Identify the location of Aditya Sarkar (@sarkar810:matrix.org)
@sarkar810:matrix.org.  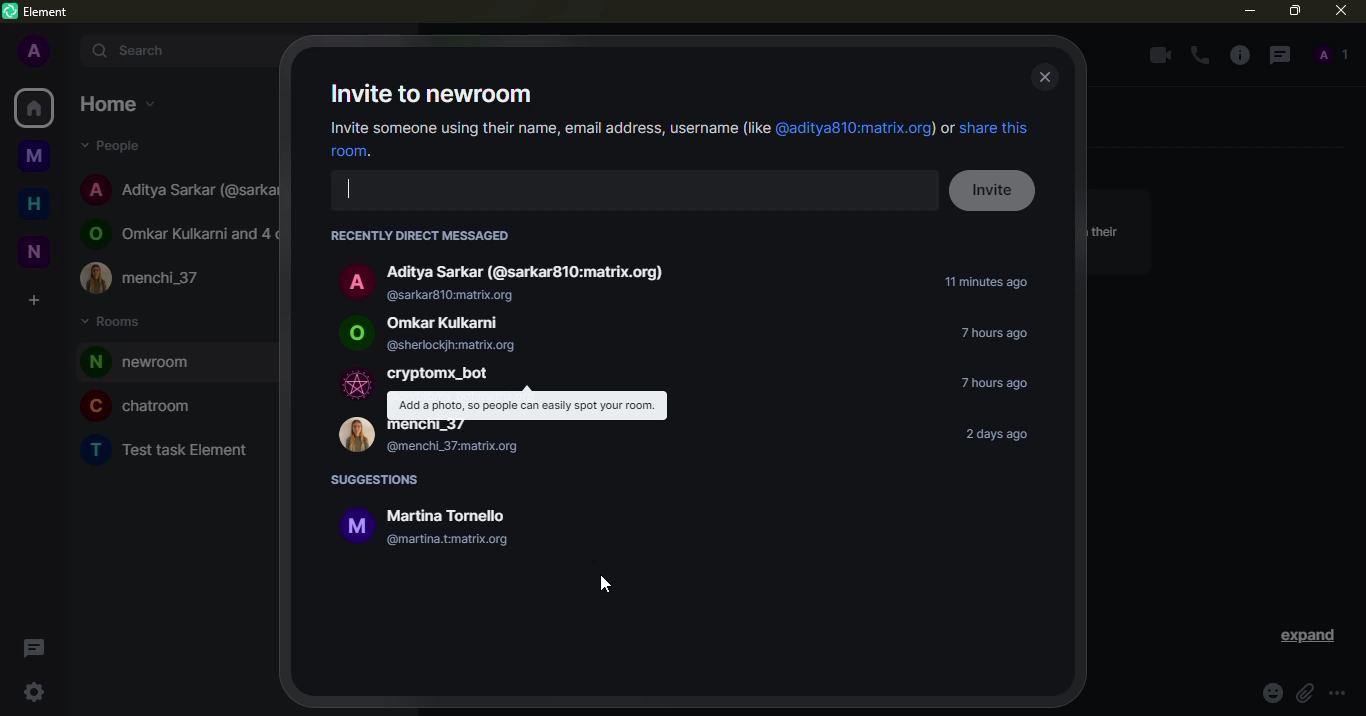
(511, 283).